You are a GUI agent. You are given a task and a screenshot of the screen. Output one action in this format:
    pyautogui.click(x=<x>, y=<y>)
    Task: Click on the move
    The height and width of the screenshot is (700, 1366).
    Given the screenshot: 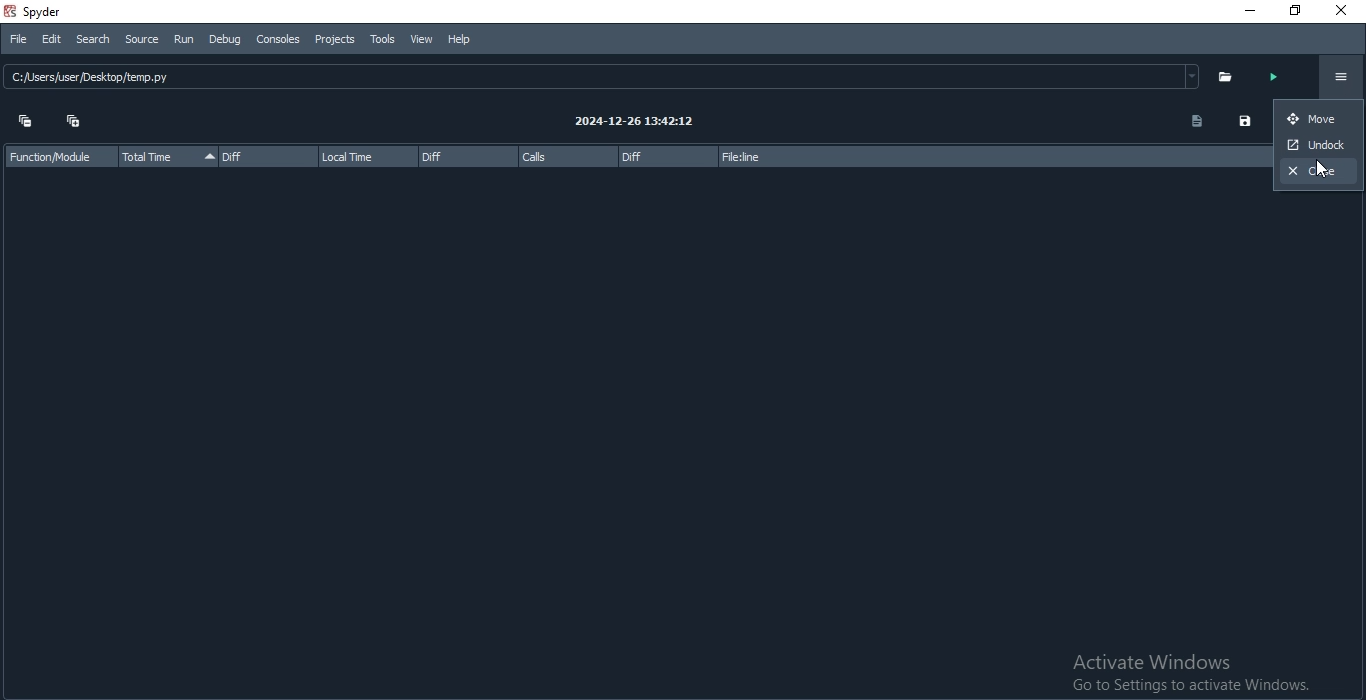 What is the action you would take?
    pyautogui.click(x=1321, y=118)
    